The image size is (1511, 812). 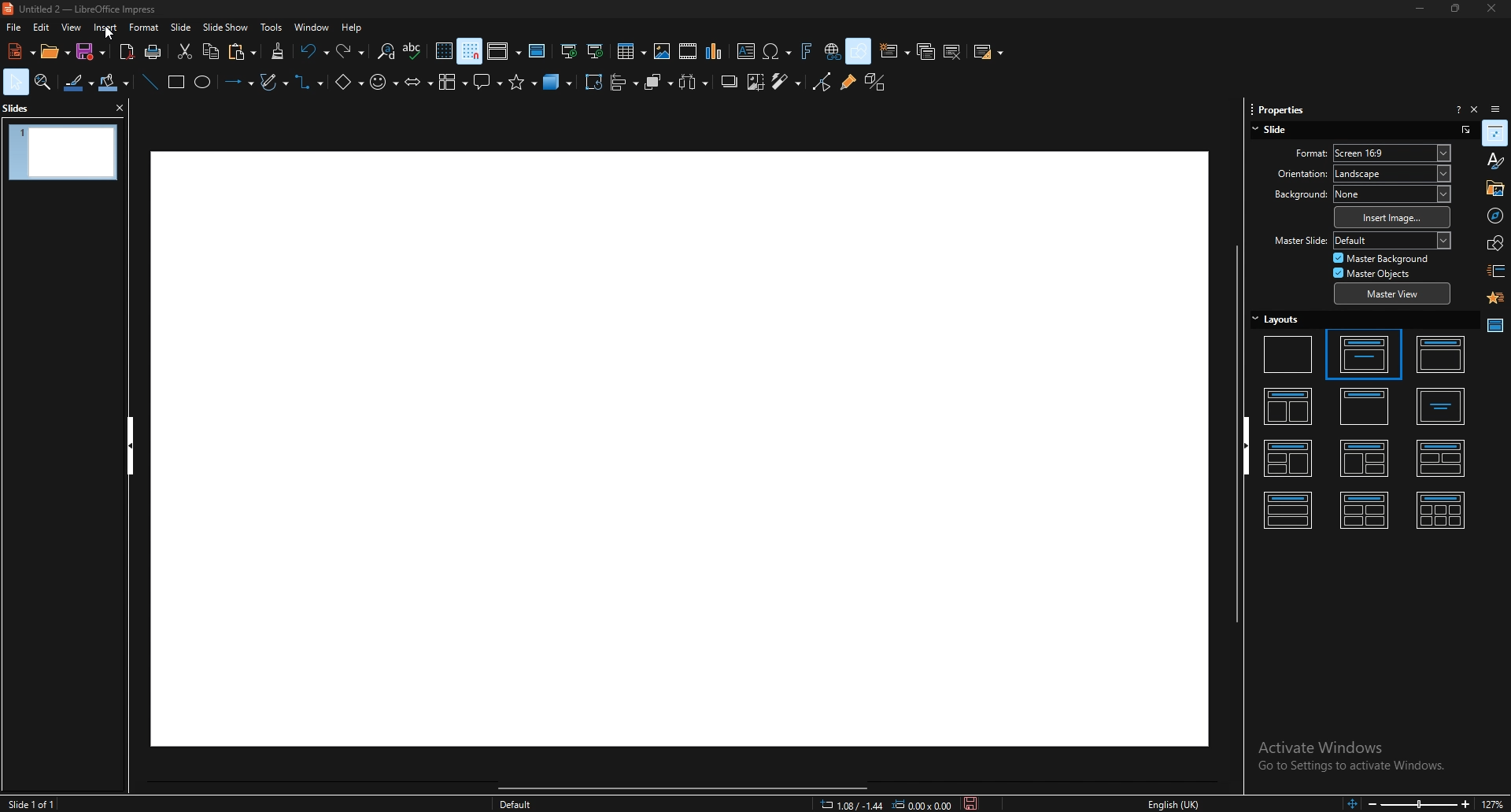 What do you see at coordinates (15, 27) in the screenshot?
I see `file` at bounding box center [15, 27].